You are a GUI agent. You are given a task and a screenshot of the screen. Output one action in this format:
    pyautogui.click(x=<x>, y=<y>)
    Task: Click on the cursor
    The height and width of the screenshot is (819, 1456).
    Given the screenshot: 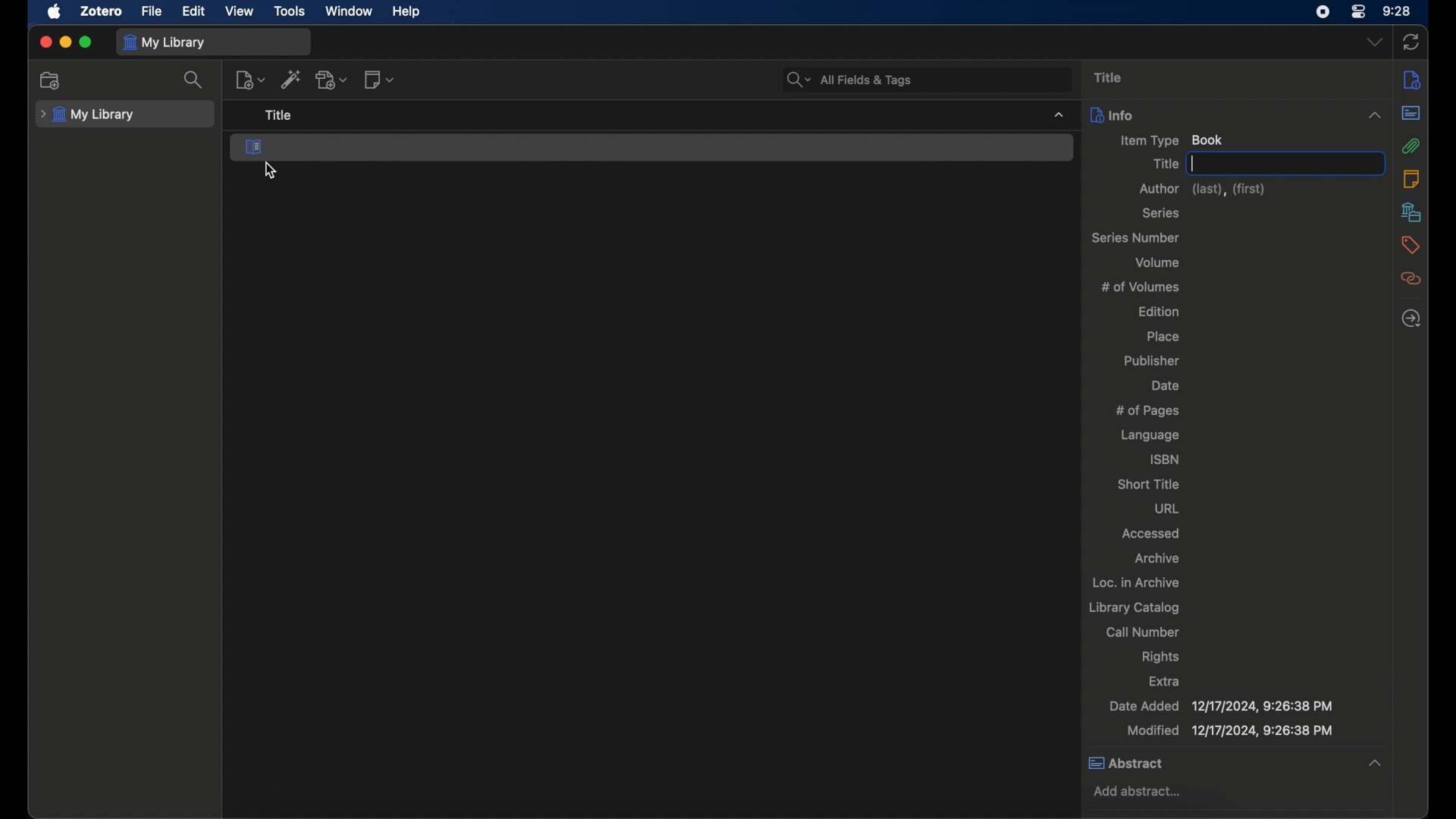 What is the action you would take?
    pyautogui.click(x=272, y=170)
    